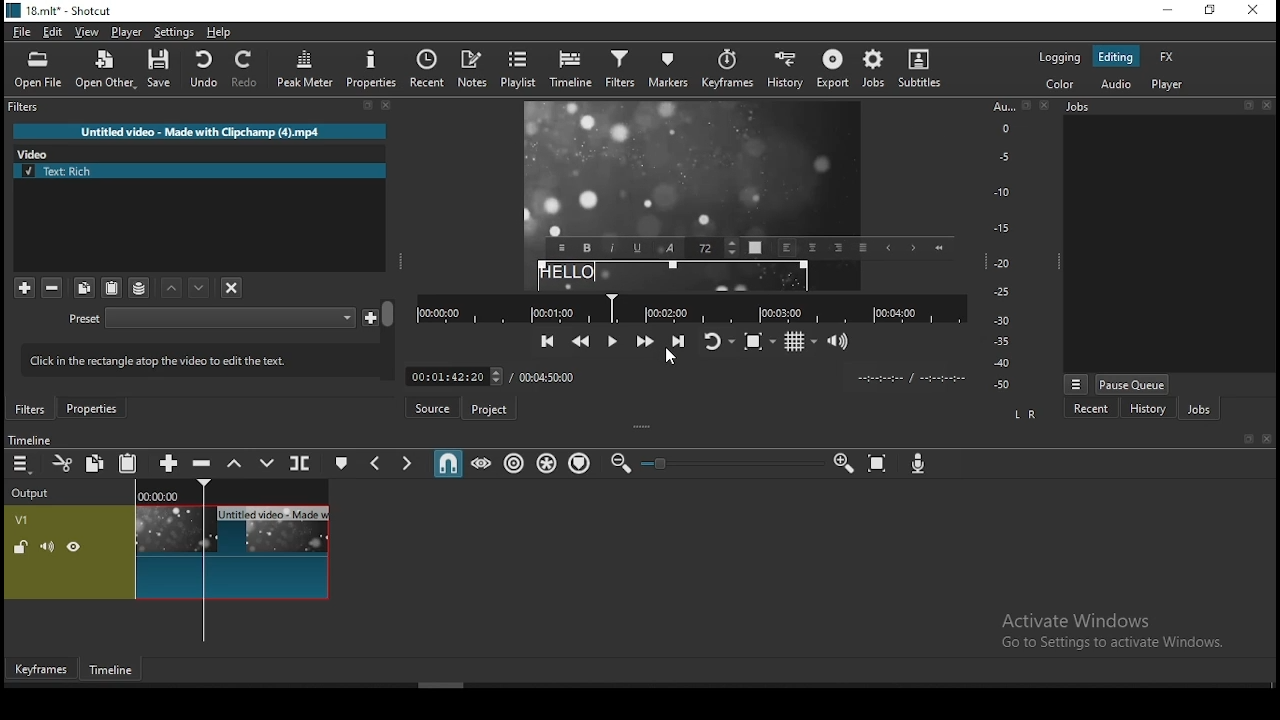 This screenshot has width=1280, height=720. Describe the element at coordinates (204, 464) in the screenshot. I see `ripple delete` at that location.